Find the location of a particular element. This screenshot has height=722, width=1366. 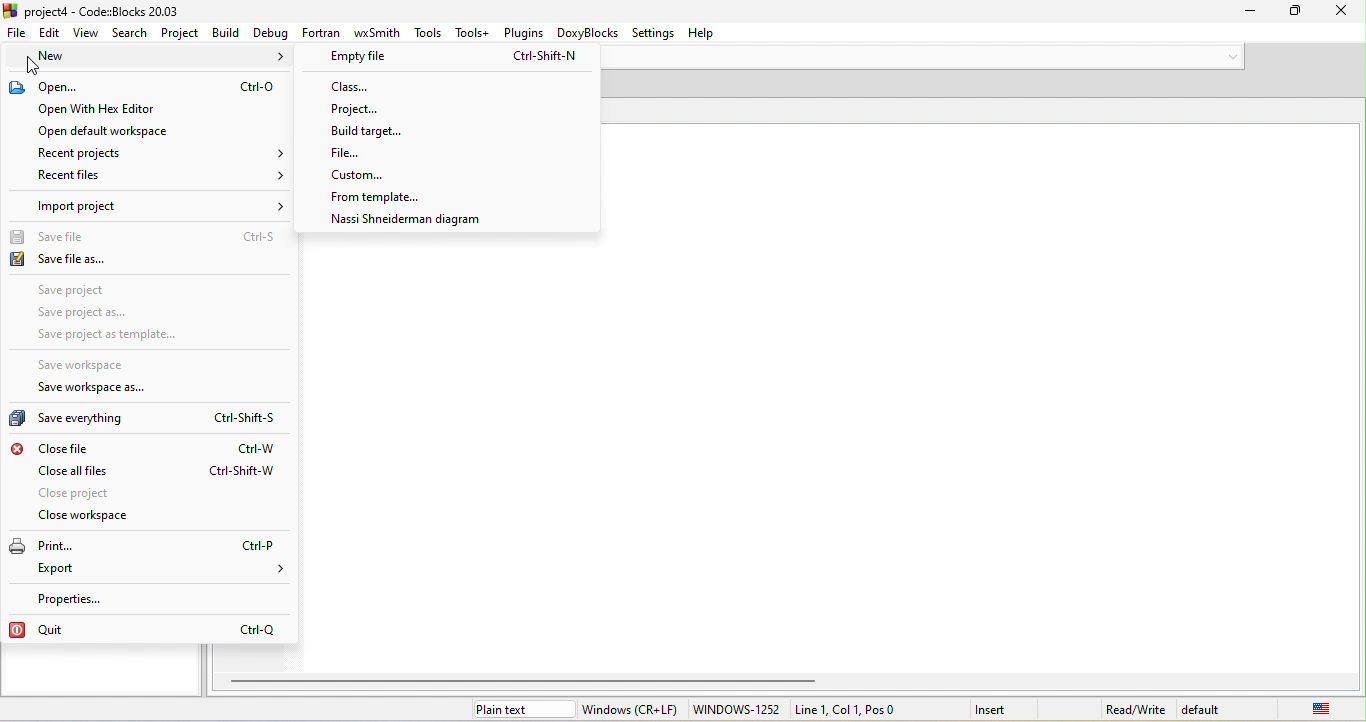

save file as is located at coordinates (95, 259).